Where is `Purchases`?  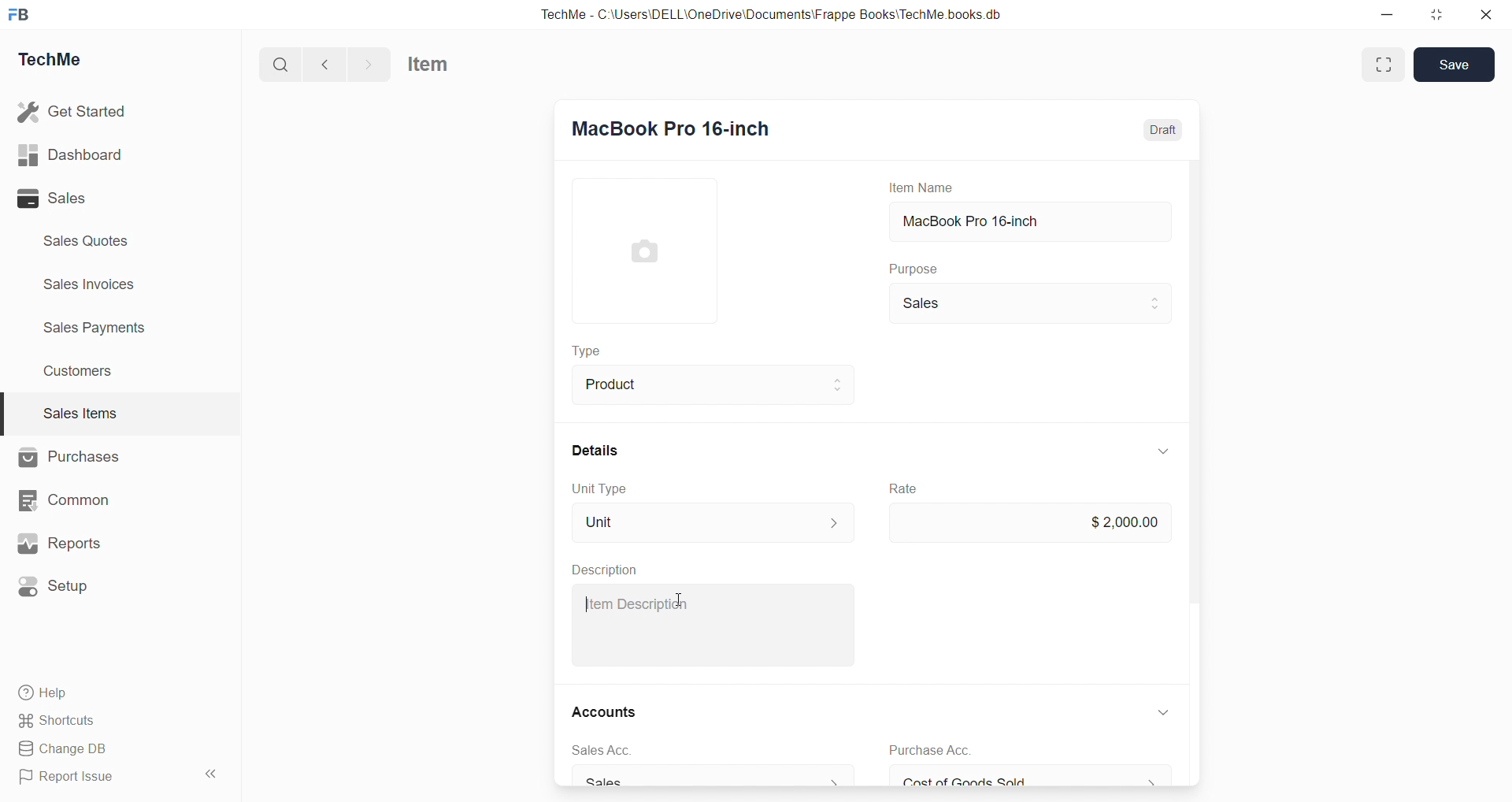
Purchases is located at coordinates (70, 458).